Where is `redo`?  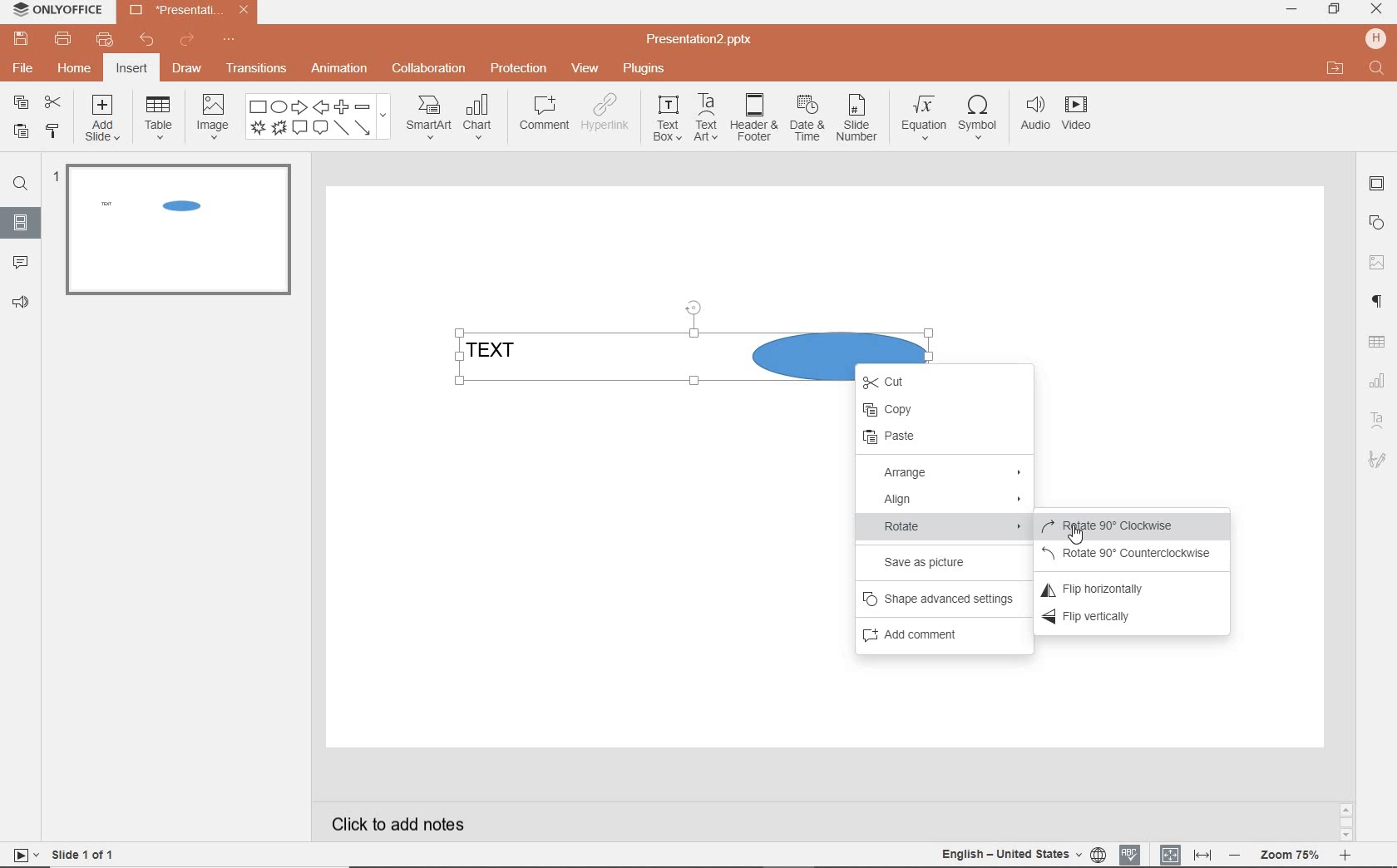
redo is located at coordinates (186, 42).